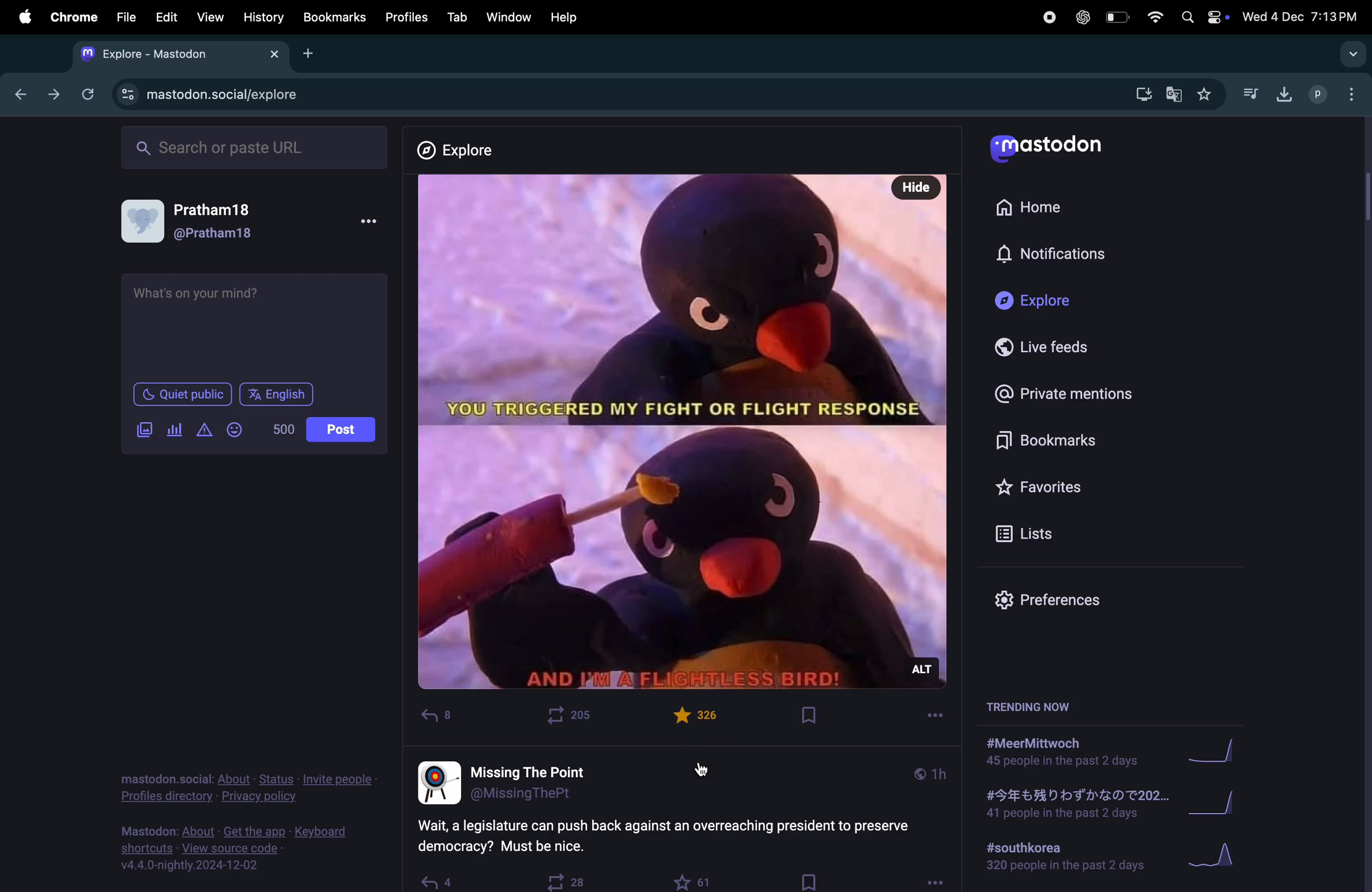  I want to click on edit, so click(168, 17).